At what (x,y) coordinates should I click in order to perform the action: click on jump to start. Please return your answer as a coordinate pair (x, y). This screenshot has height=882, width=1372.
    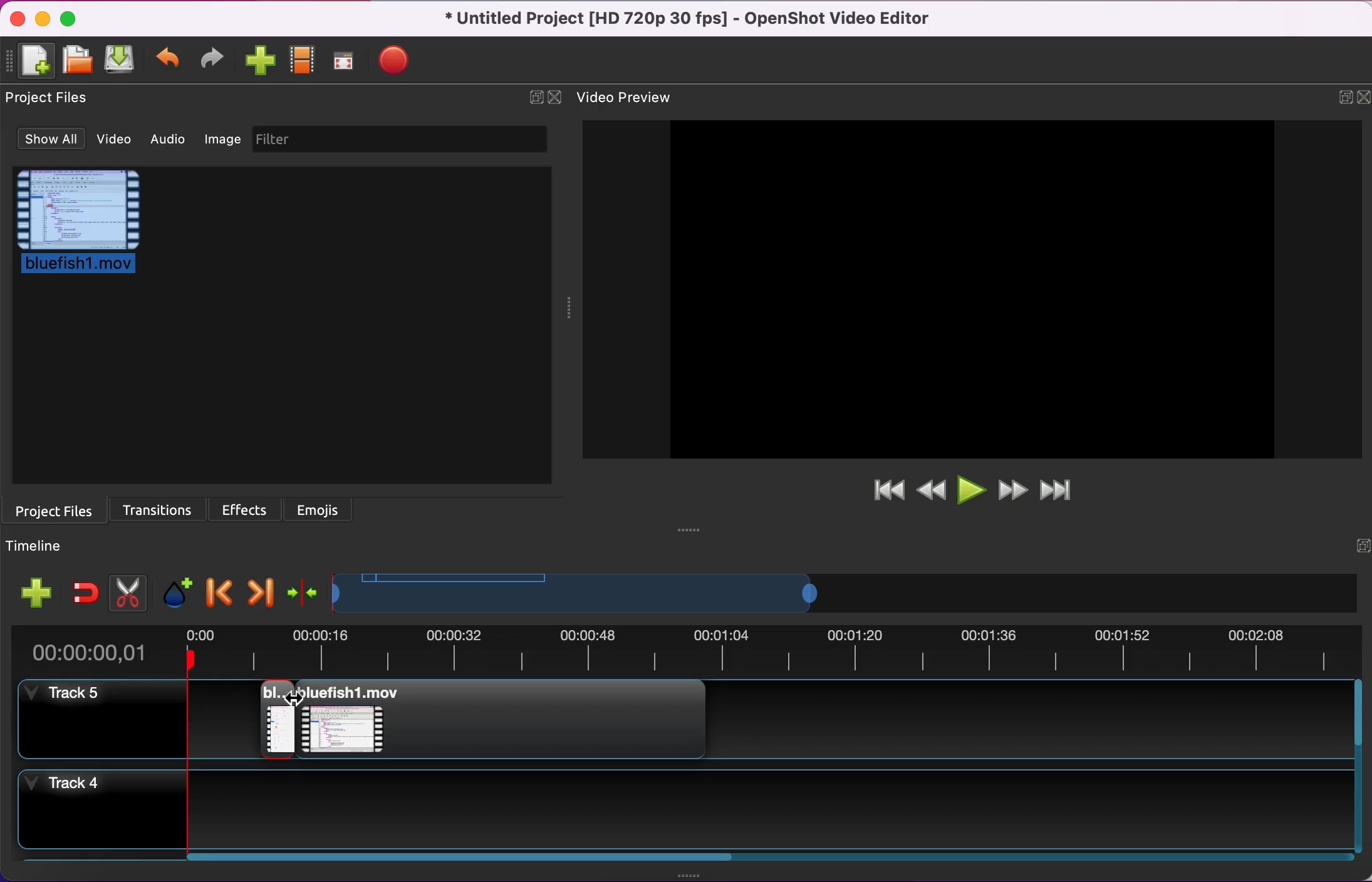
    Looking at the image, I should click on (881, 495).